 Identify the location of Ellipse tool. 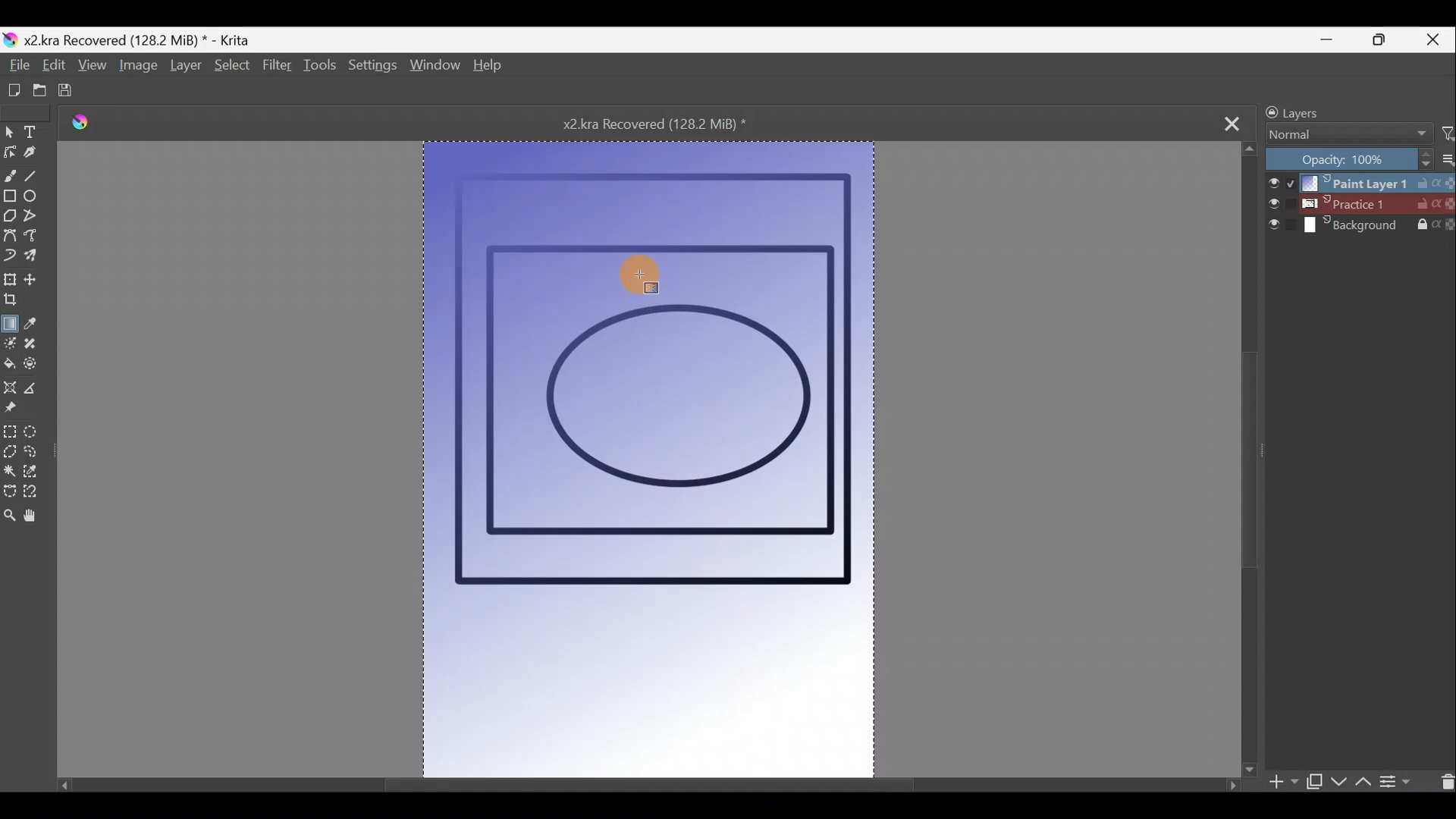
(35, 199).